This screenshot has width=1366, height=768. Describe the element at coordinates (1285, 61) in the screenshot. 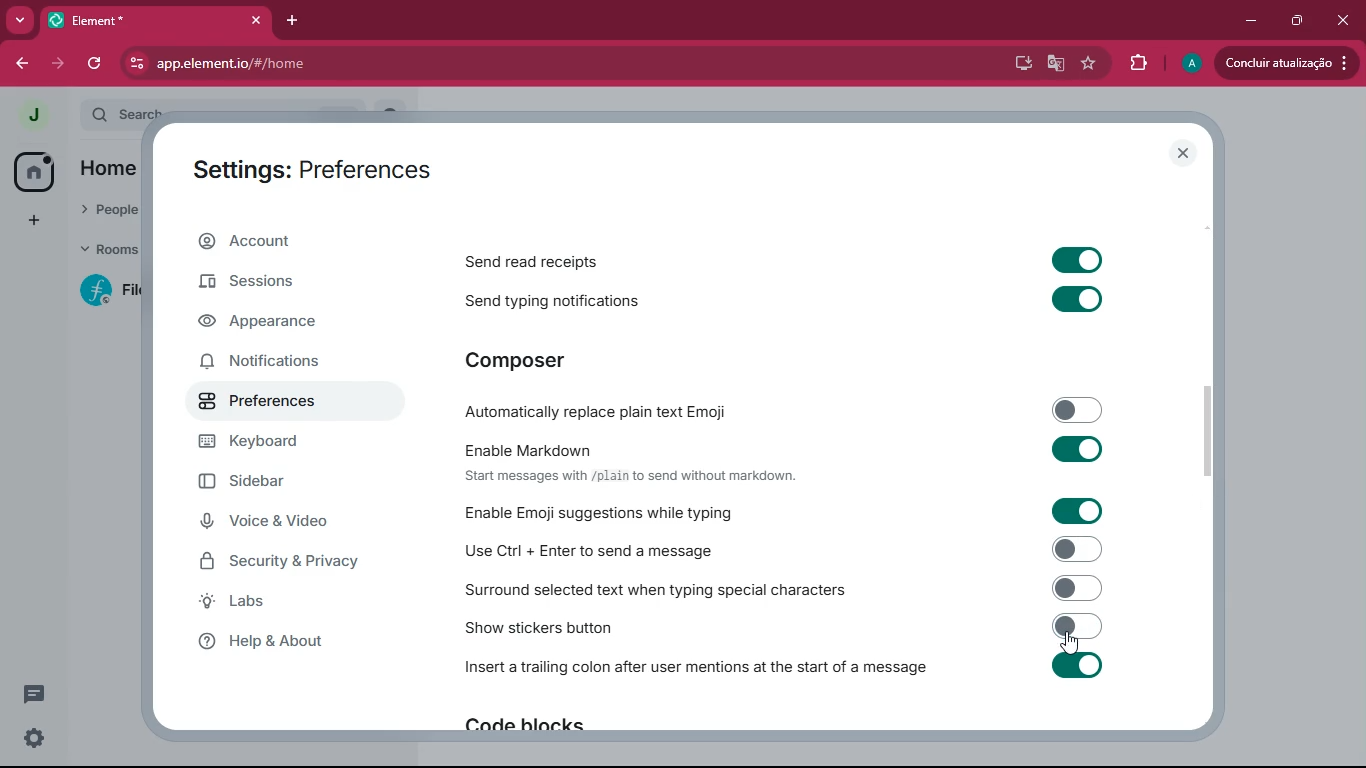

I see `conduir atualizacao` at that location.